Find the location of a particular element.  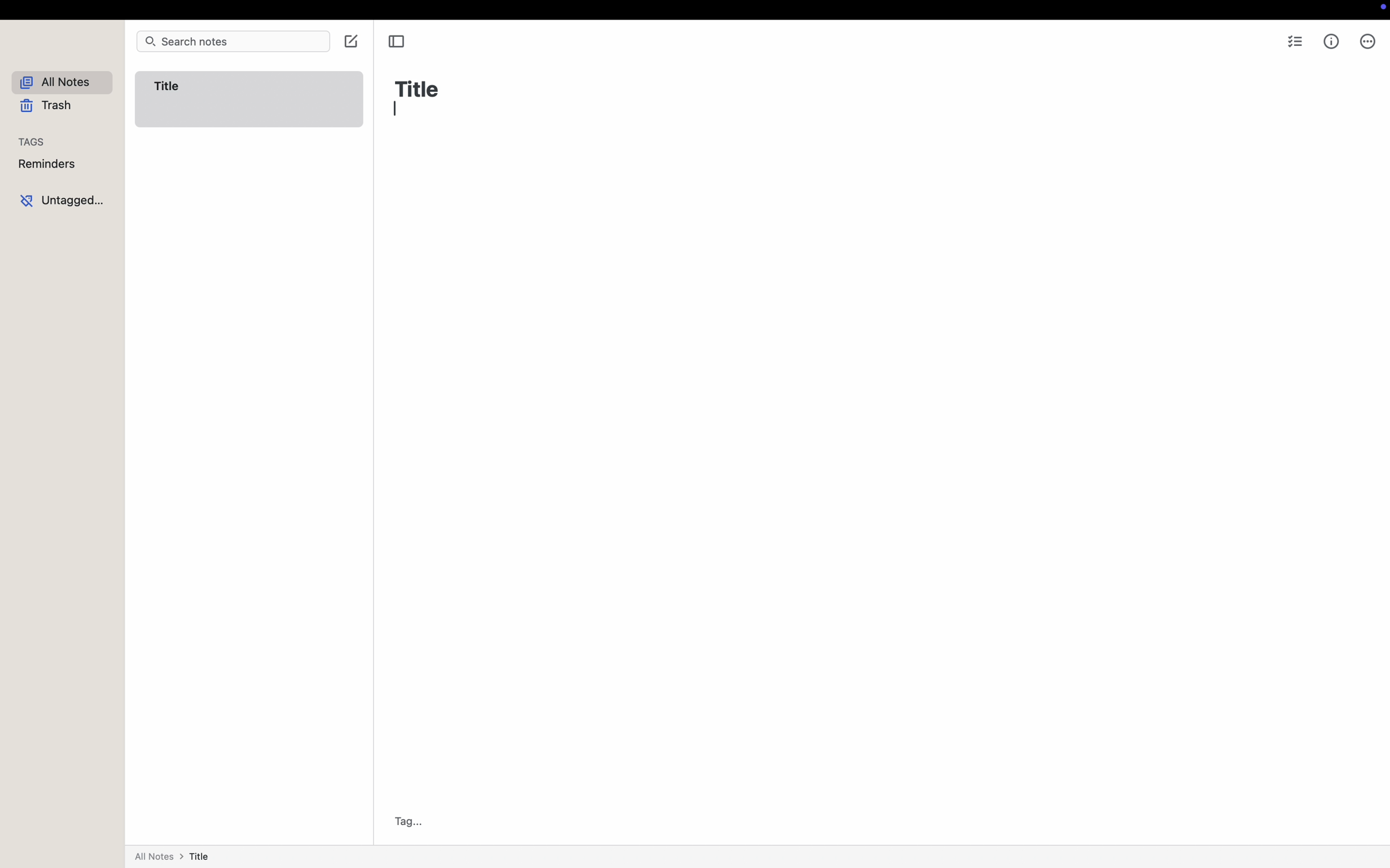

more options is located at coordinates (1368, 41).